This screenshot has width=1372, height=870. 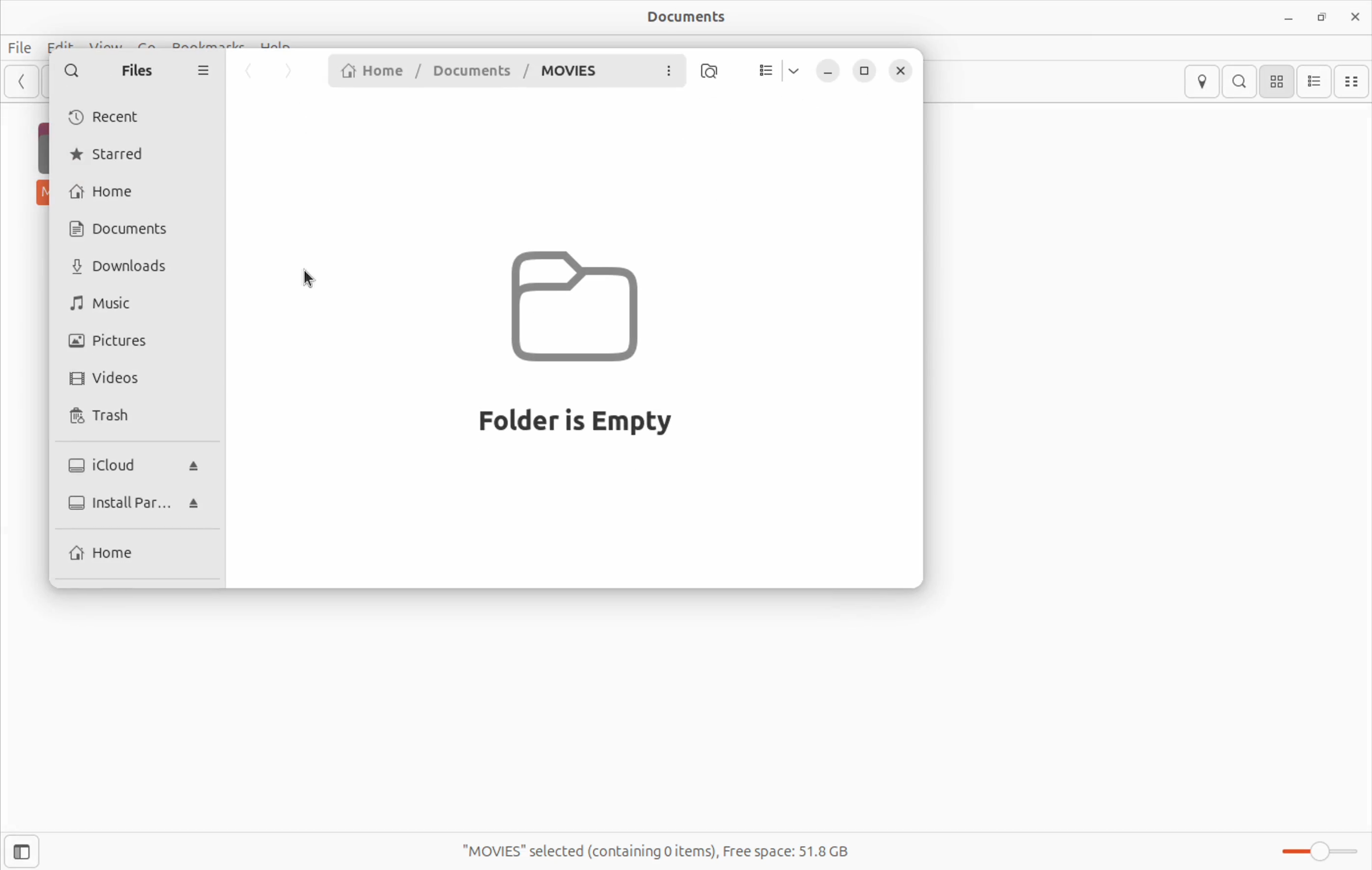 What do you see at coordinates (311, 276) in the screenshot?
I see `cursor` at bounding box center [311, 276].